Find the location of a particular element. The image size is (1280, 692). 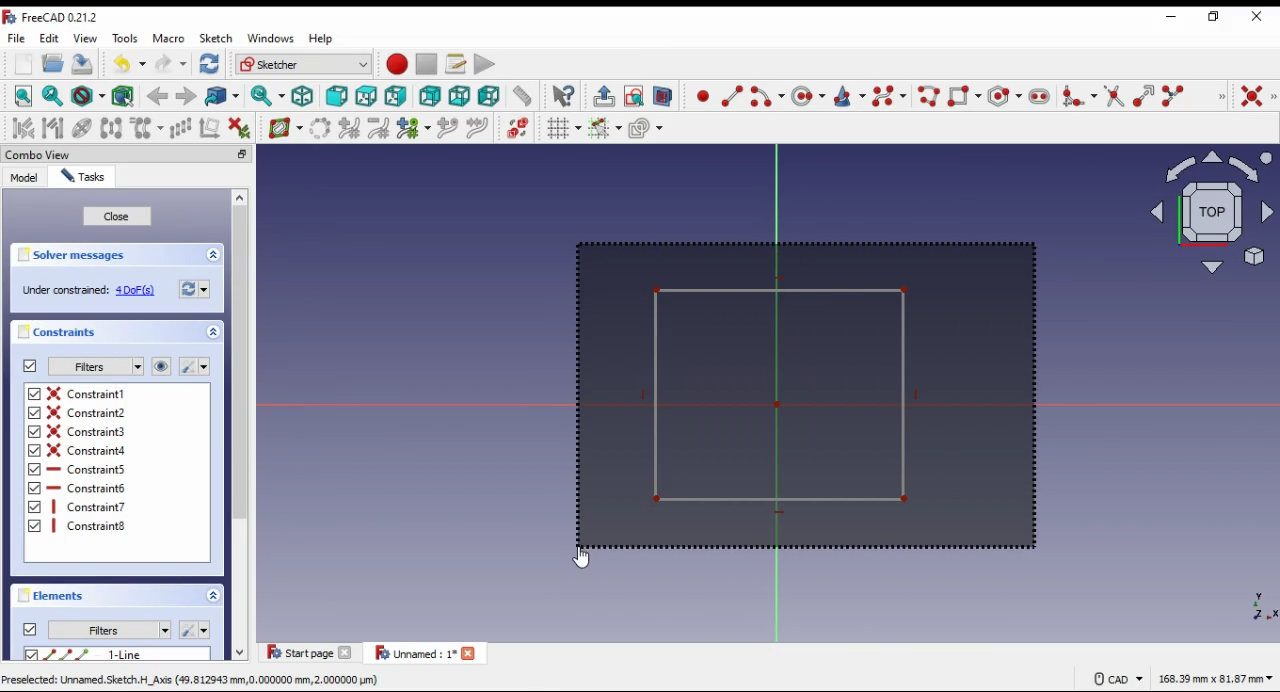

select view is located at coordinates (1208, 212).